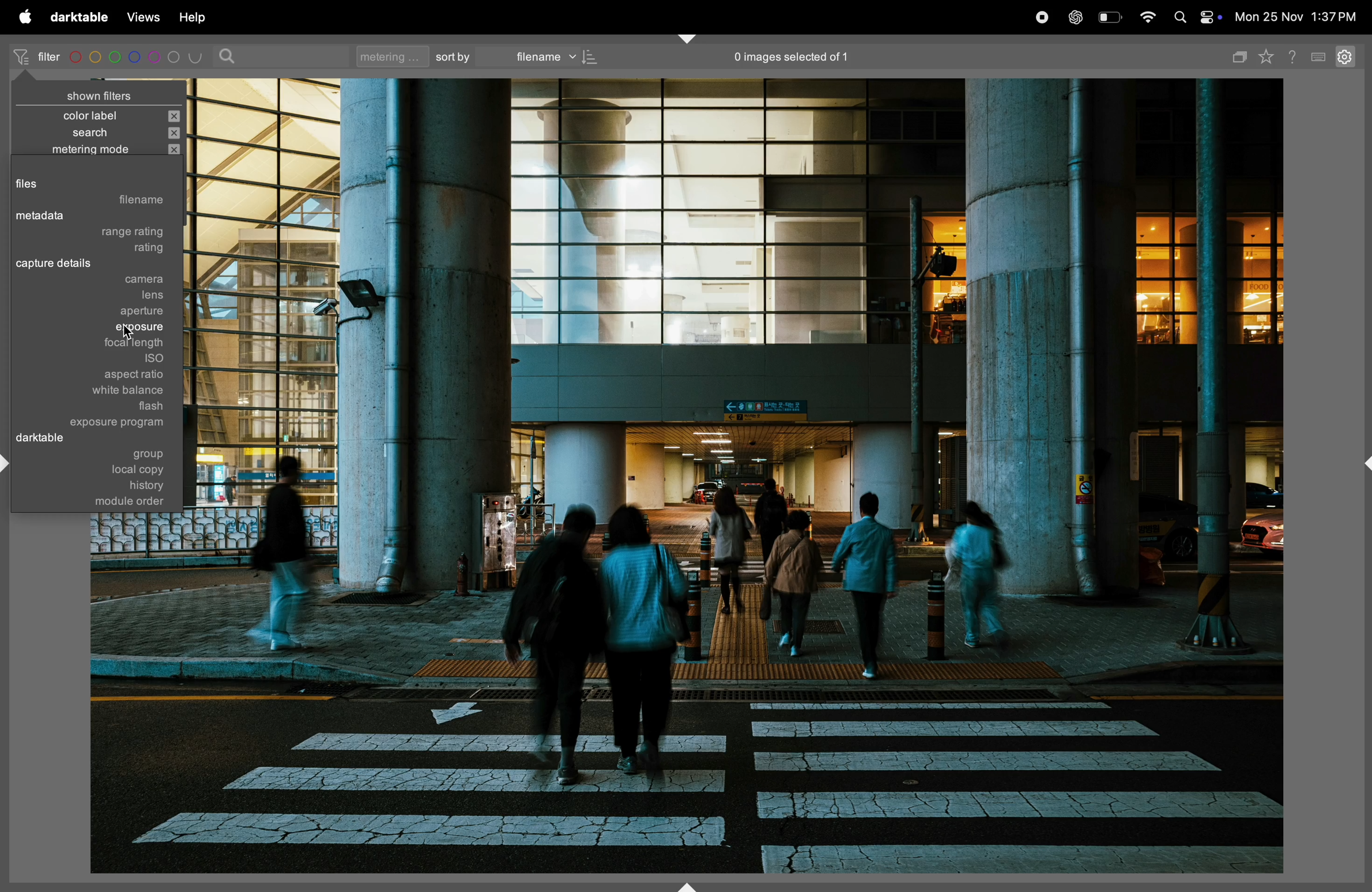 This screenshot has width=1372, height=892. What do you see at coordinates (100, 115) in the screenshot?
I see `color label` at bounding box center [100, 115].